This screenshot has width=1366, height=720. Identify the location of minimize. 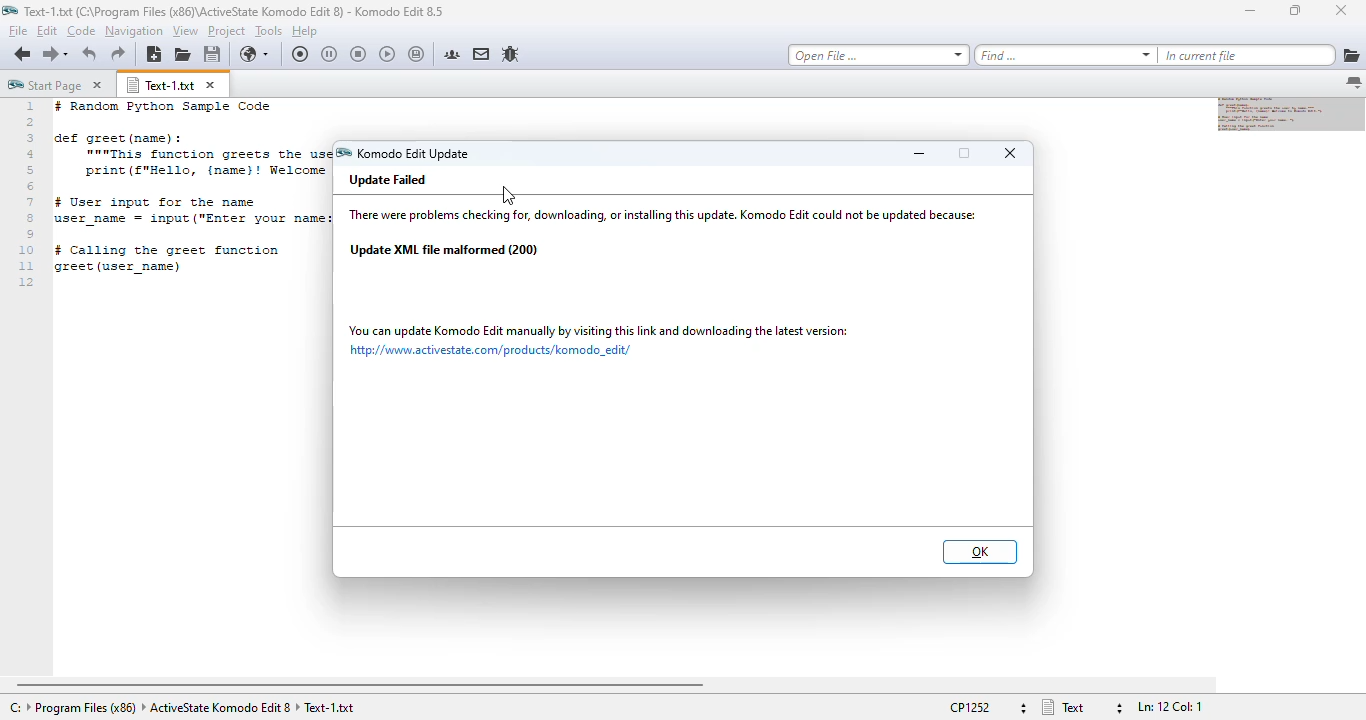
(919, 153).